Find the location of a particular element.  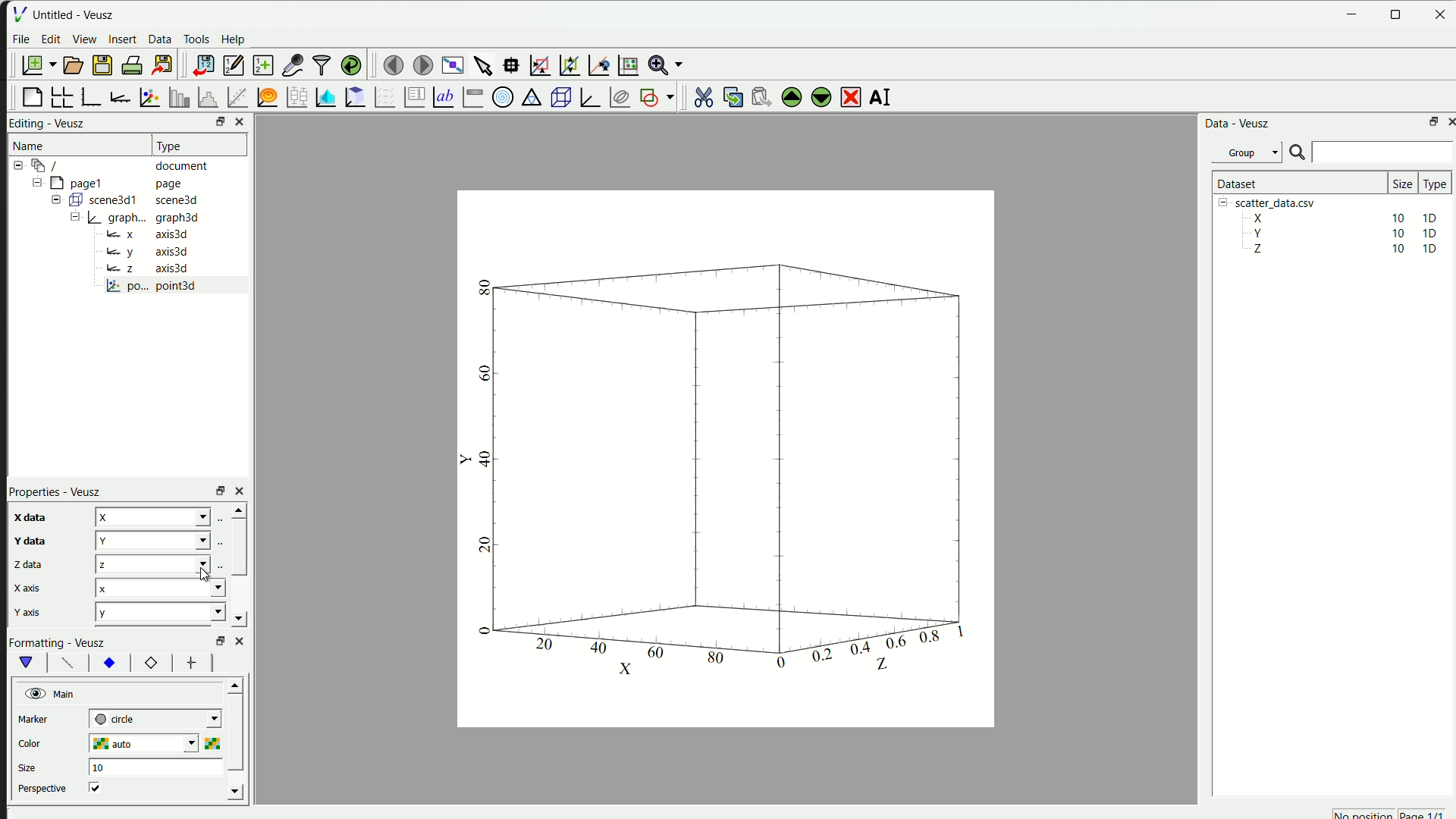

Image color bar is located at coordinates (474, 96).